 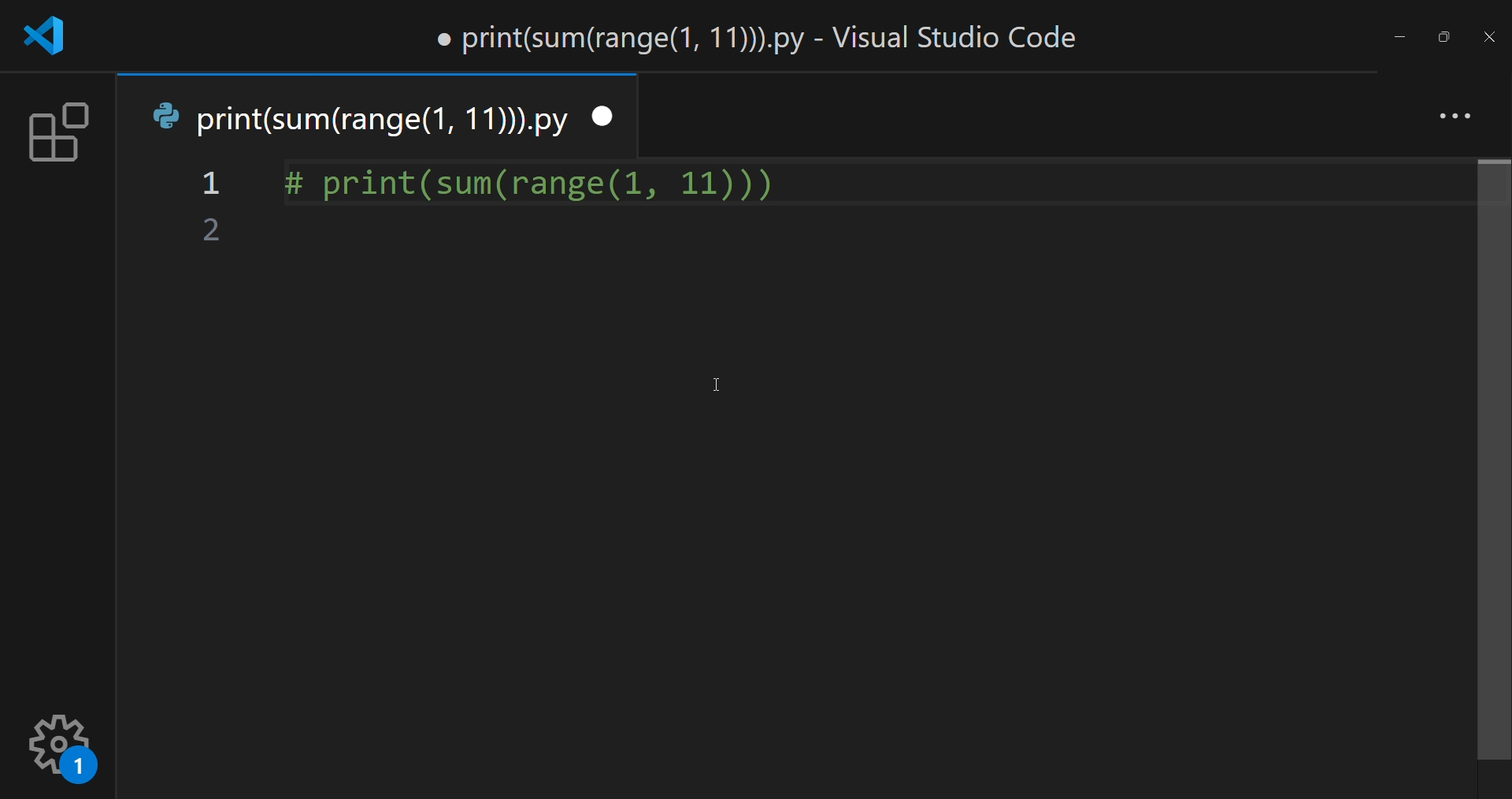 I want to click on minimize, so click(x=1399, y=35).